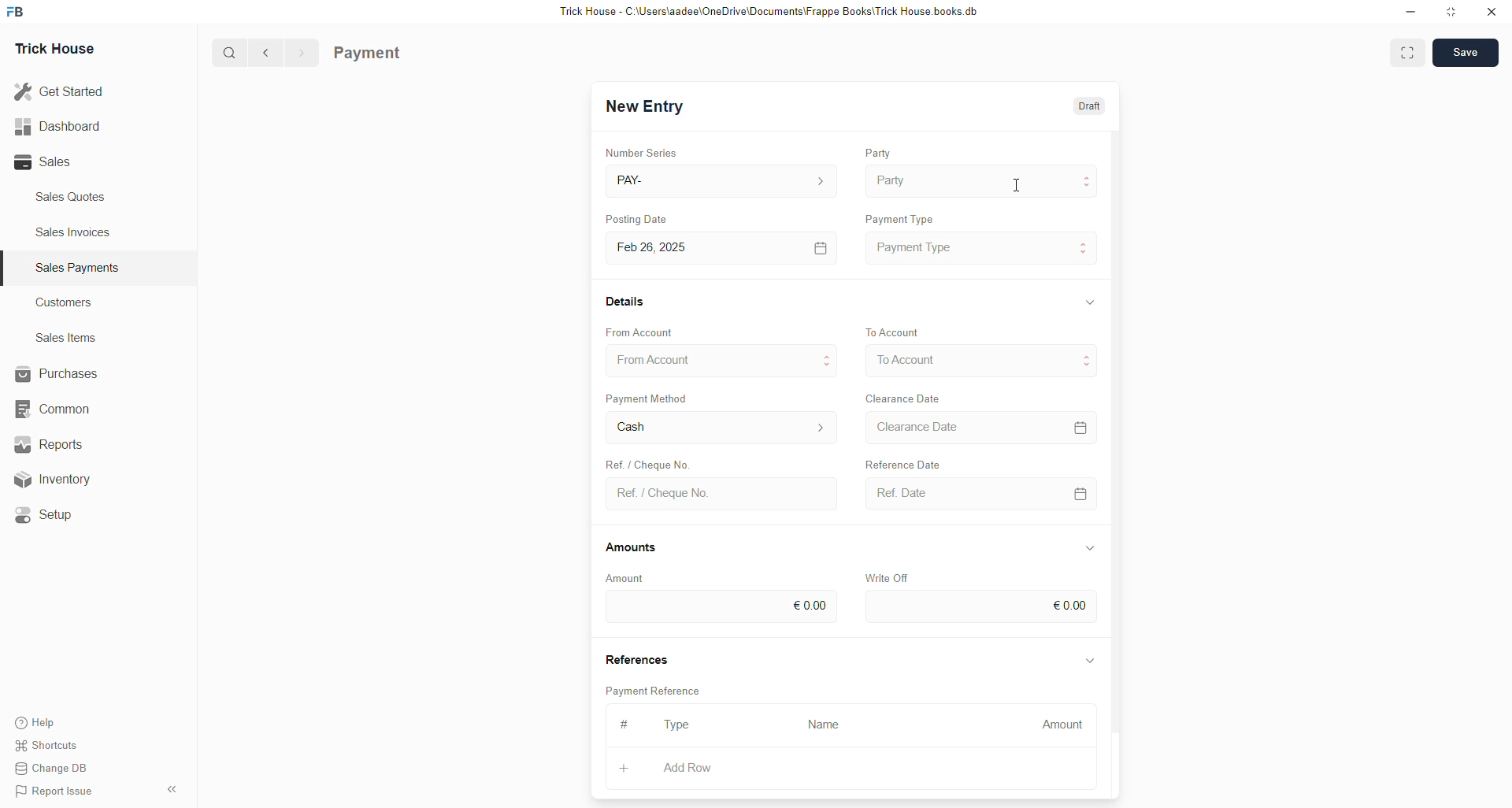 This screenshot has height=808, width=1512. I want to click on Amounts, so click(632, 548).